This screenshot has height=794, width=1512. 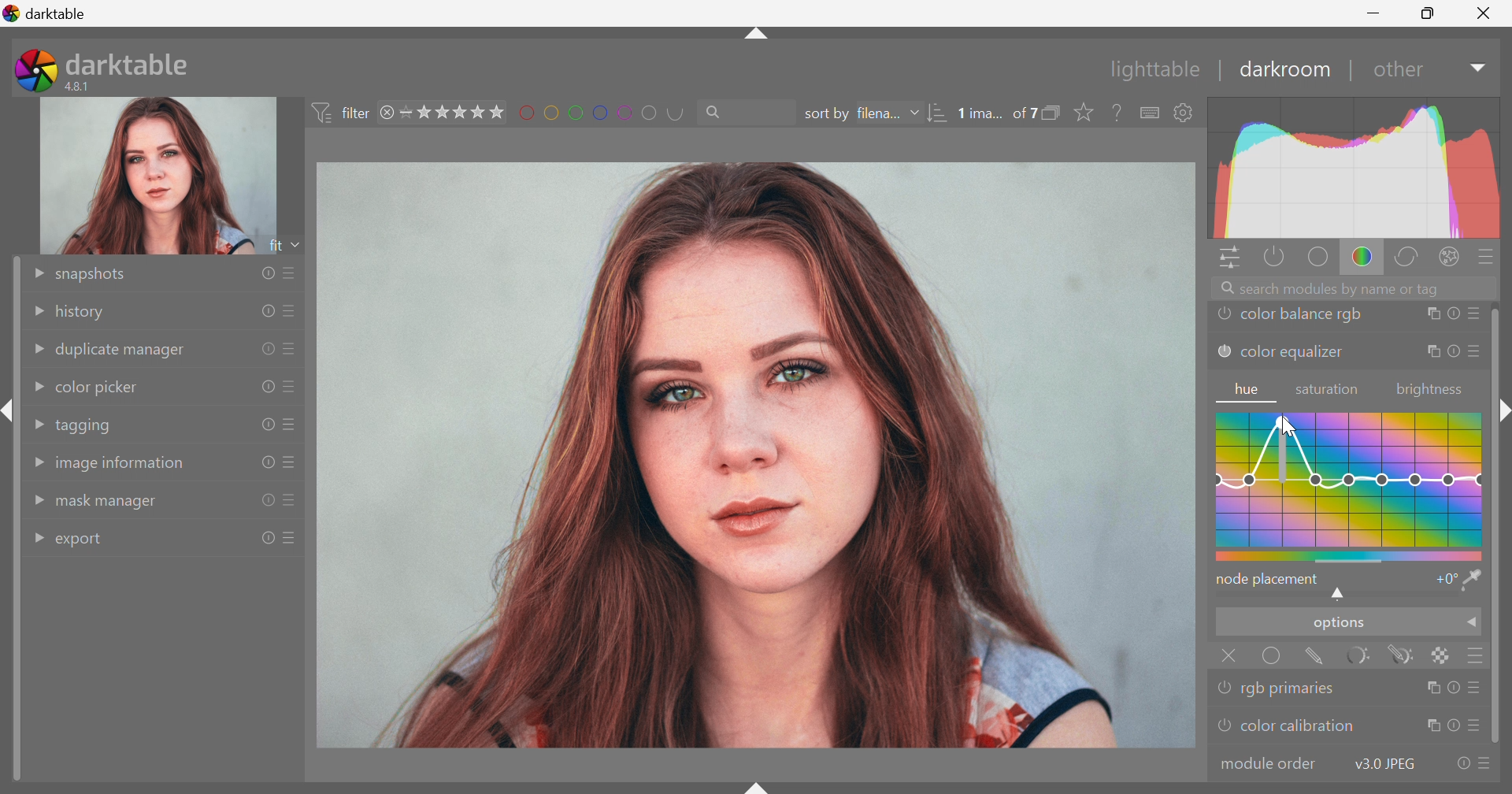 I want to click on darktable icon, so click(x=32, y=70).